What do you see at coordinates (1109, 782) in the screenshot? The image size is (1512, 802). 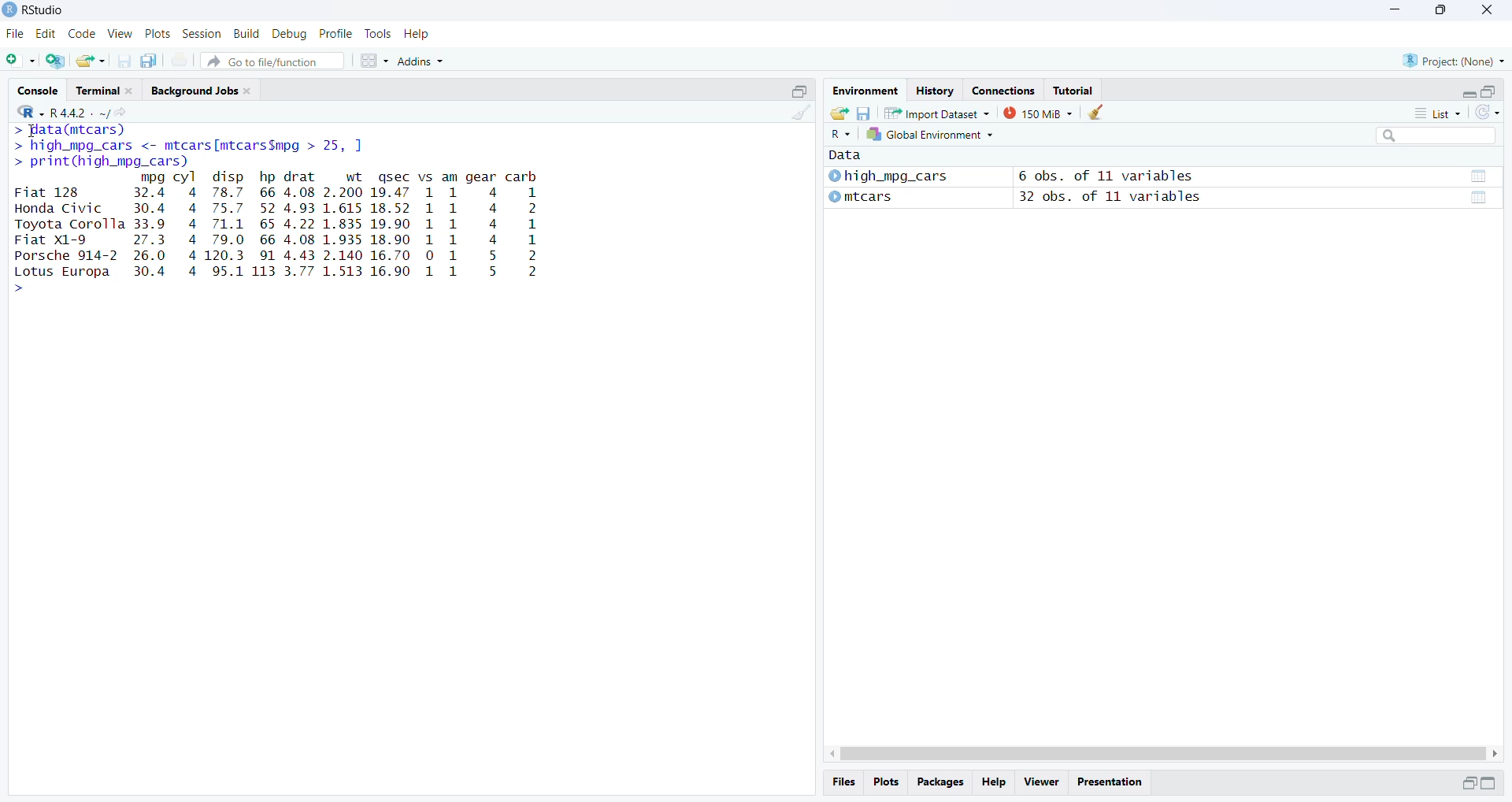 I see `Presentation` at bounding box center [1109, 782].